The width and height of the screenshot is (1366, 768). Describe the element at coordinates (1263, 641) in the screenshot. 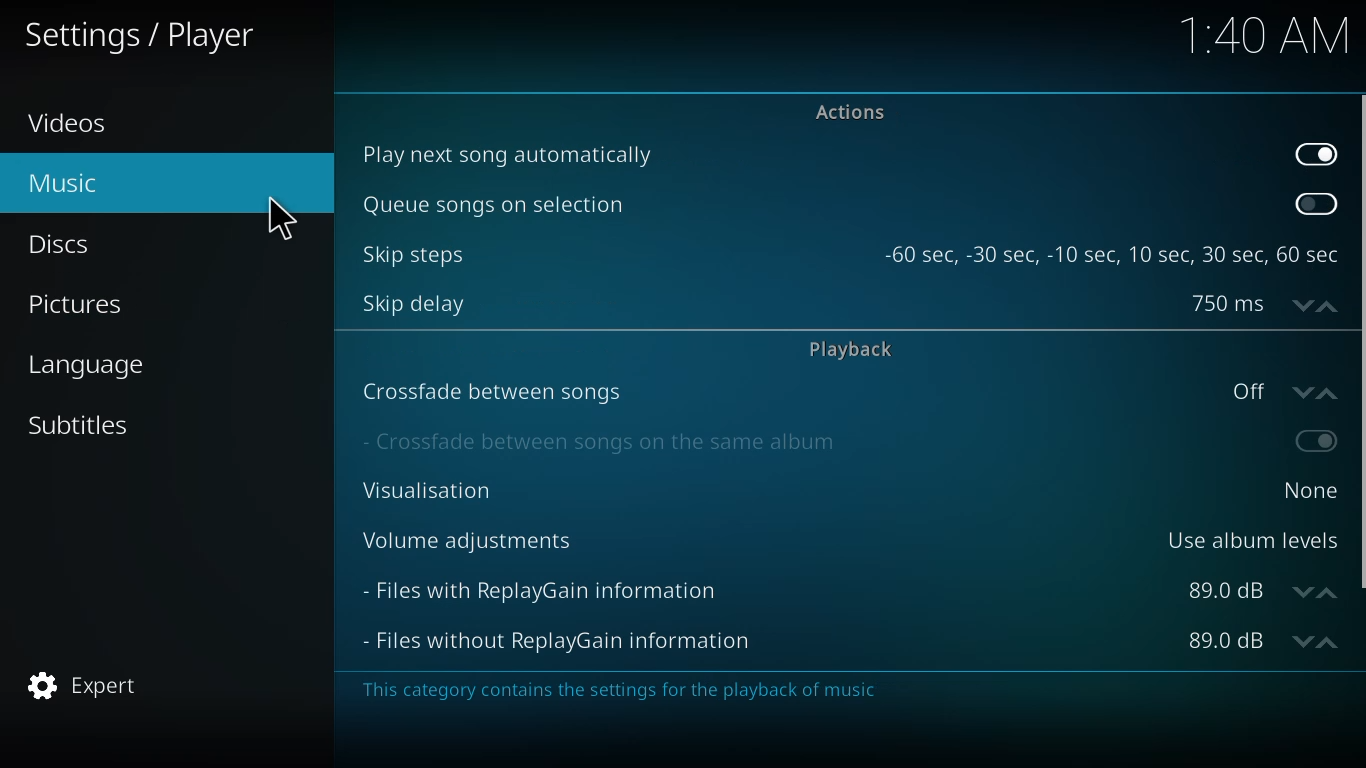

I see `db` at that location.